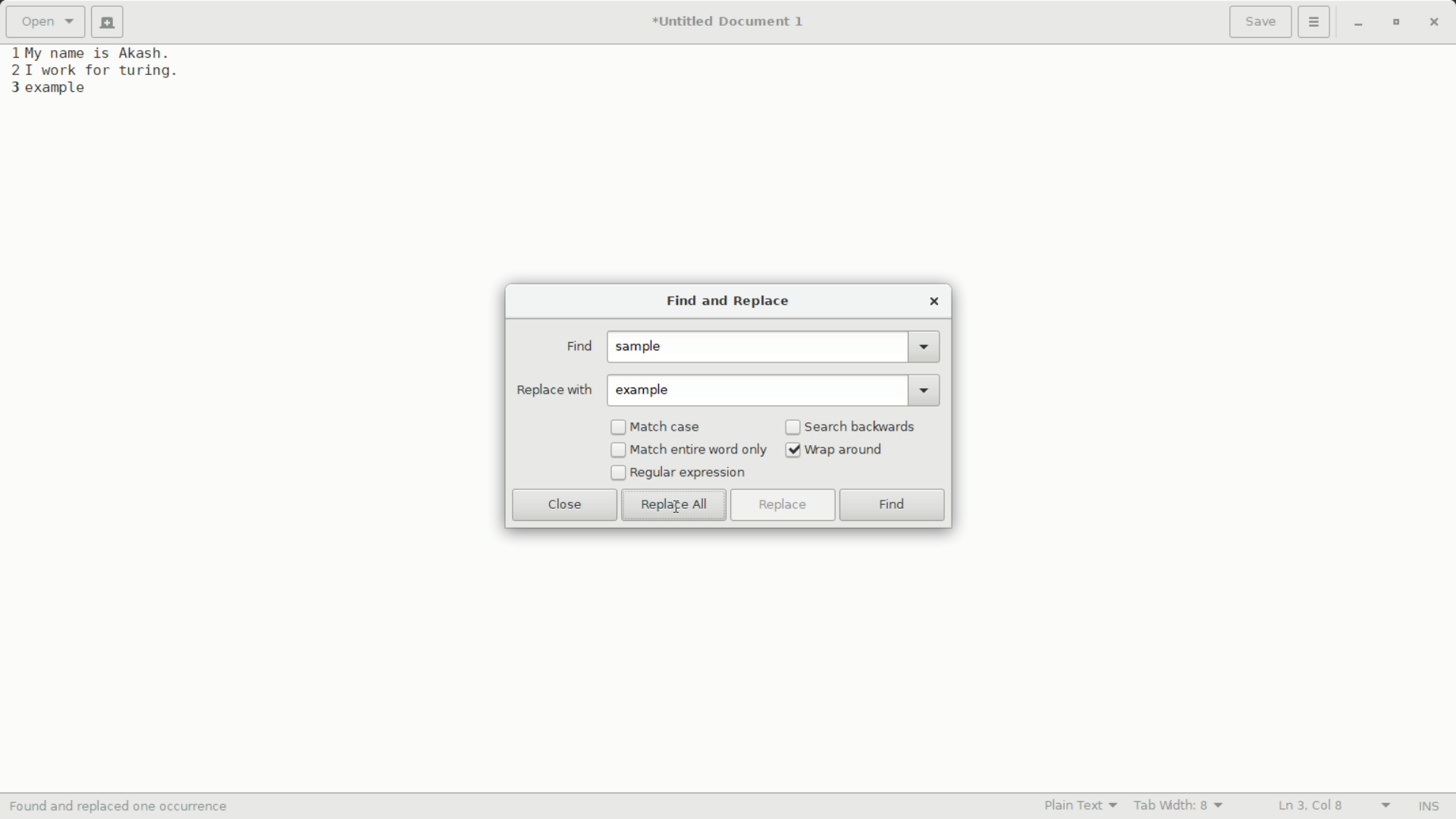 This screenshot has height=819, width=1456. What do you see at coordinates (1261, 24) in the screenshot?
I see `save` at bounding box center [1261, 24].